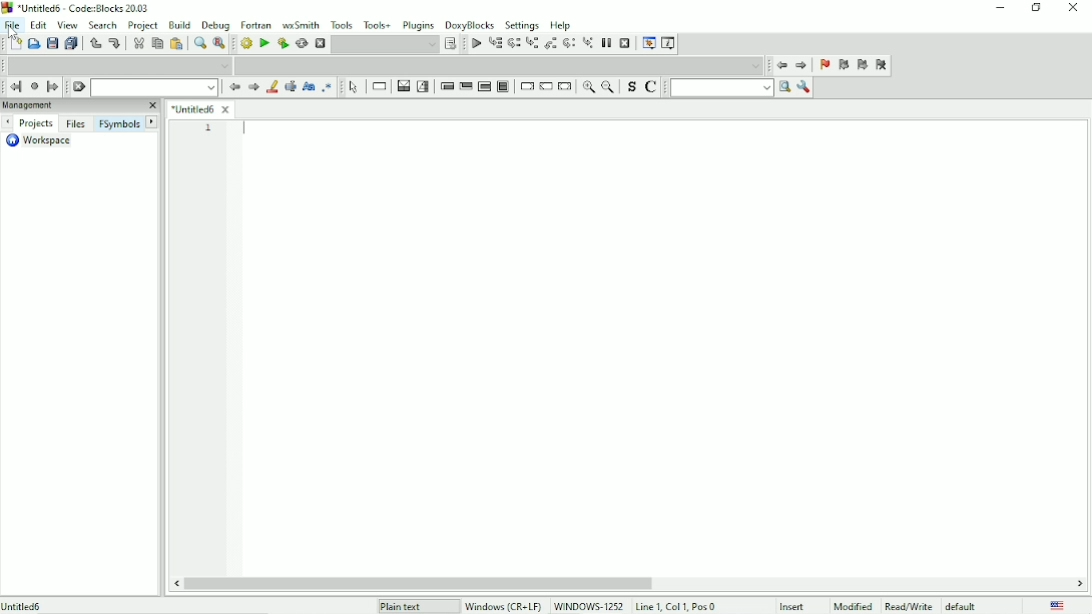  Describe the element at coordinates (79, 87) in the screenshot. I see `Clear` at that location.